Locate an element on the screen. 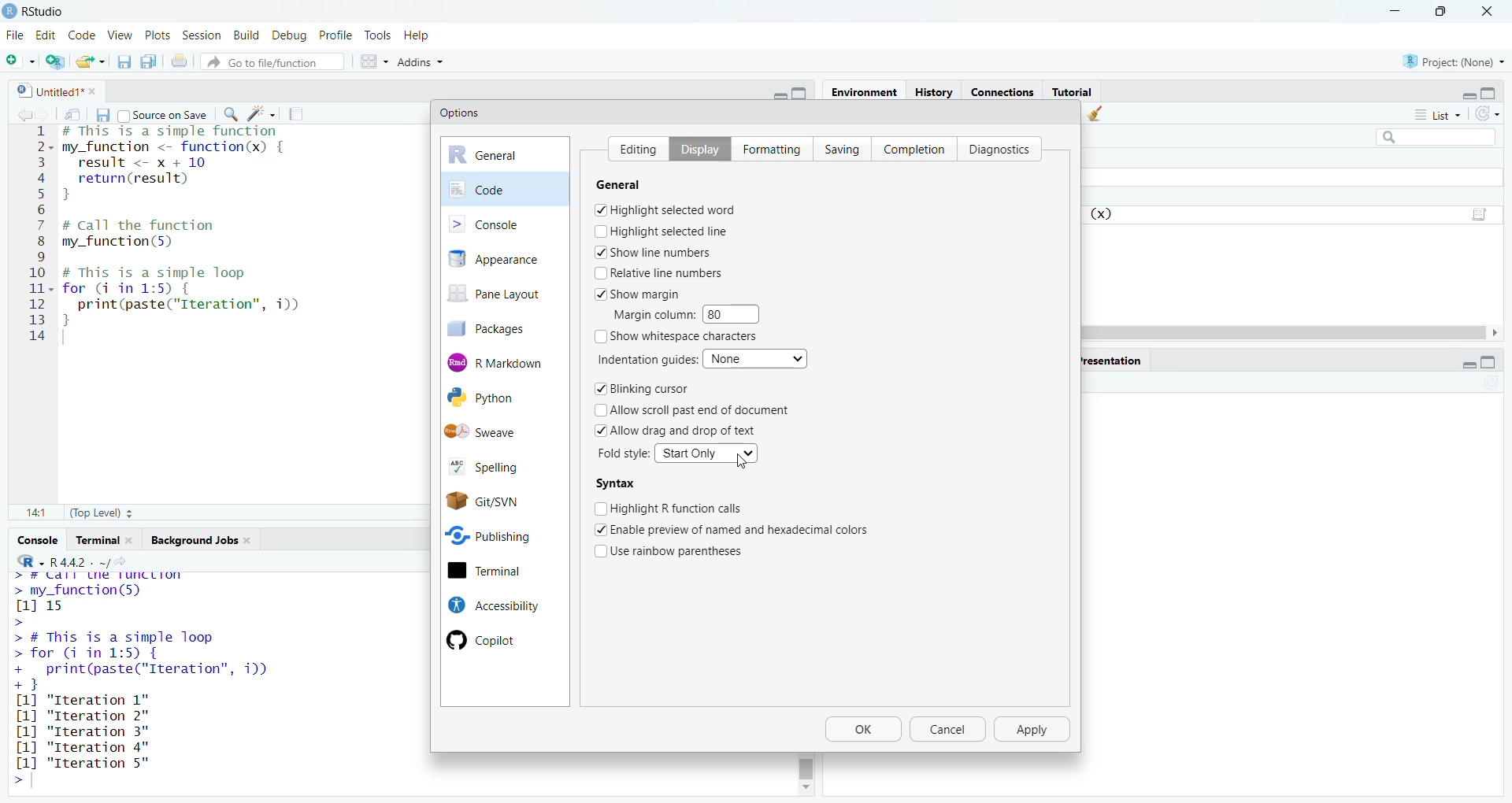  General is located at coordinates (631, 184).